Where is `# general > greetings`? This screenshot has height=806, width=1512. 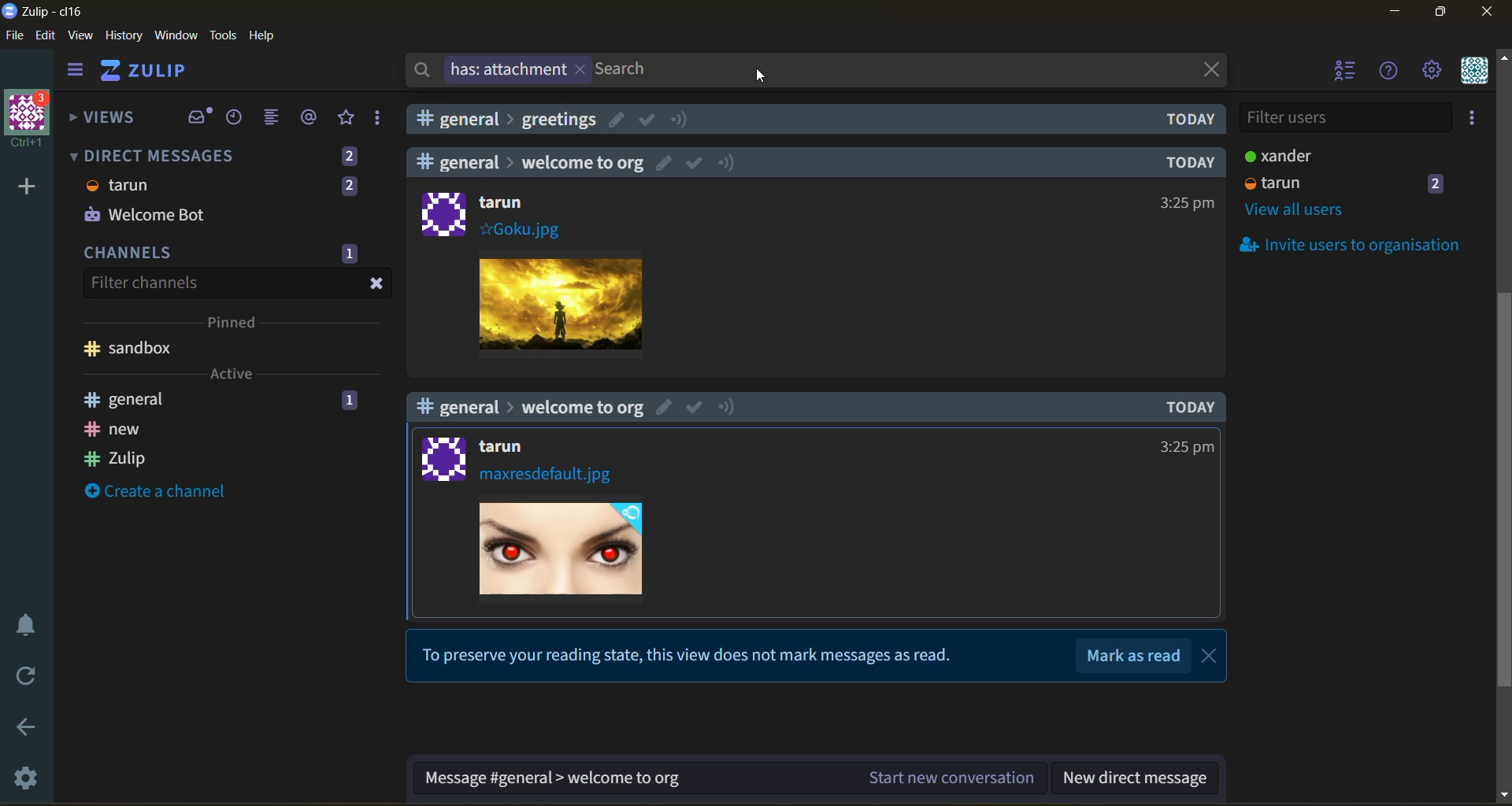 # general > greetings is located at coordinates (509, 120).